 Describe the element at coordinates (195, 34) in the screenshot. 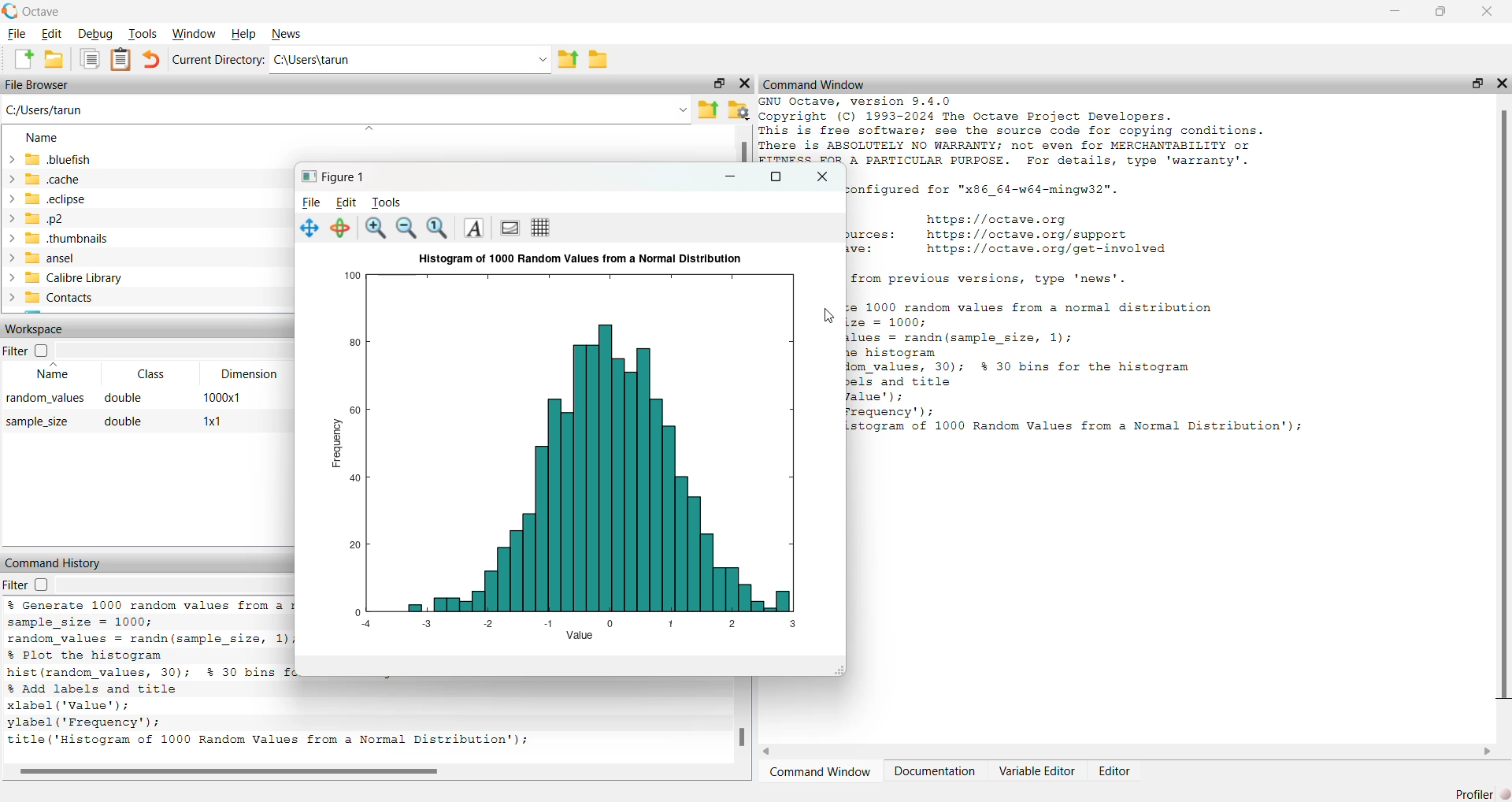

I see `Window` at that location.